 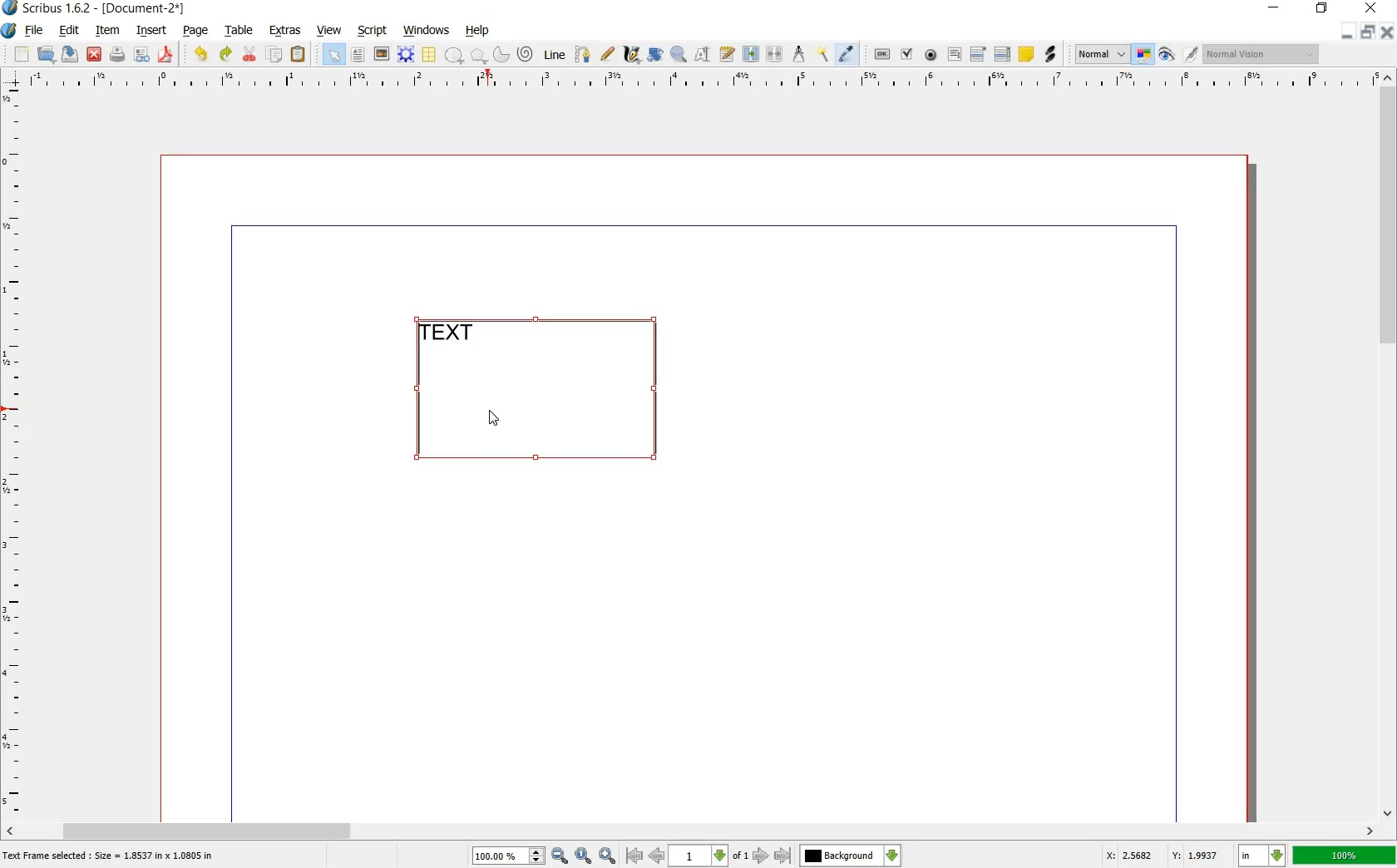 I want to click on edit contents of frame, so click(x=703, y=55).